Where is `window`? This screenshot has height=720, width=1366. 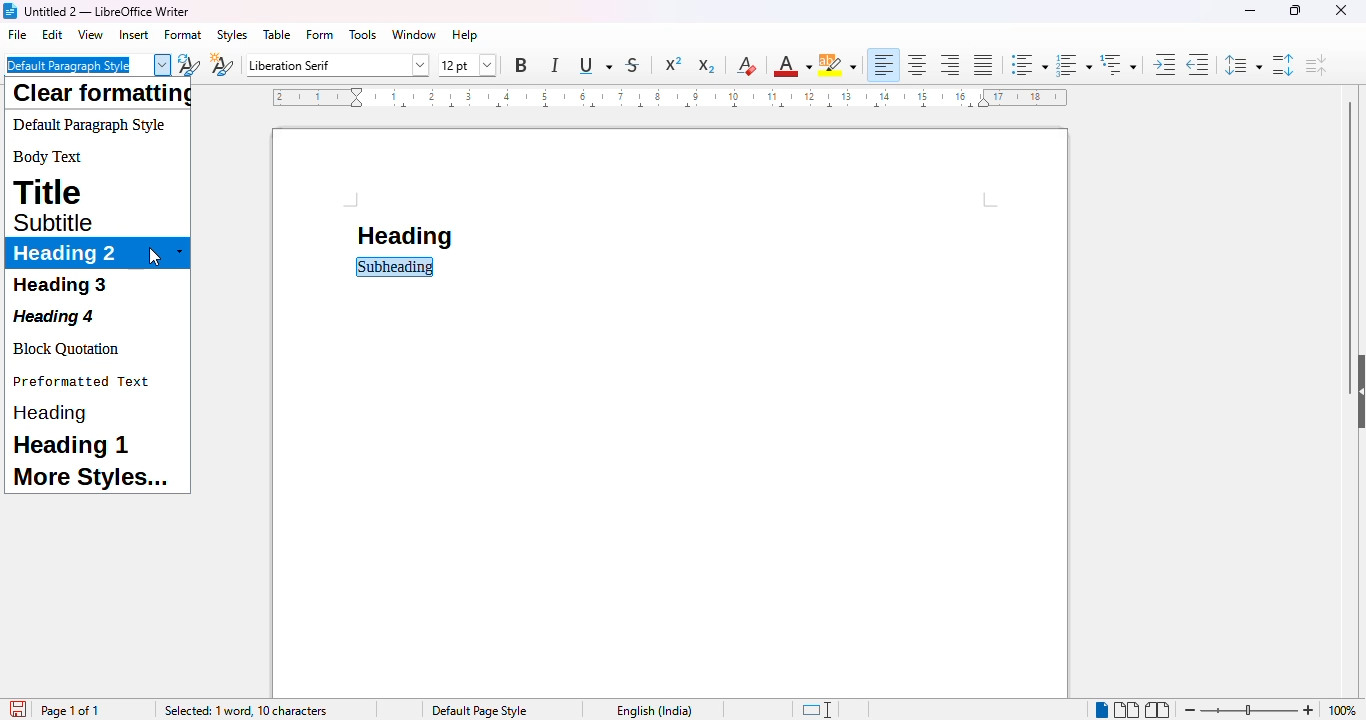
window is located at coordinates (415, 34).